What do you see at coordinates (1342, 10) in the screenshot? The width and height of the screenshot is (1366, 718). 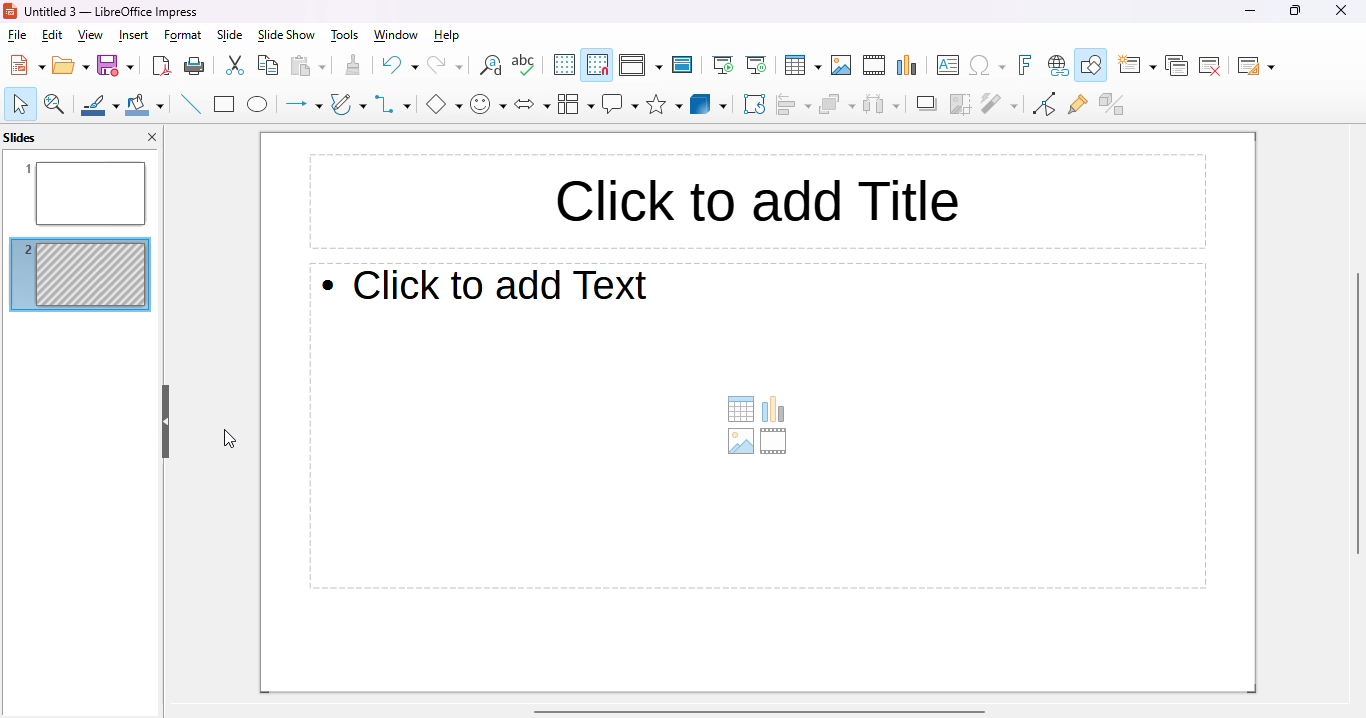 I see `close` at bounding box center [1342, 10].